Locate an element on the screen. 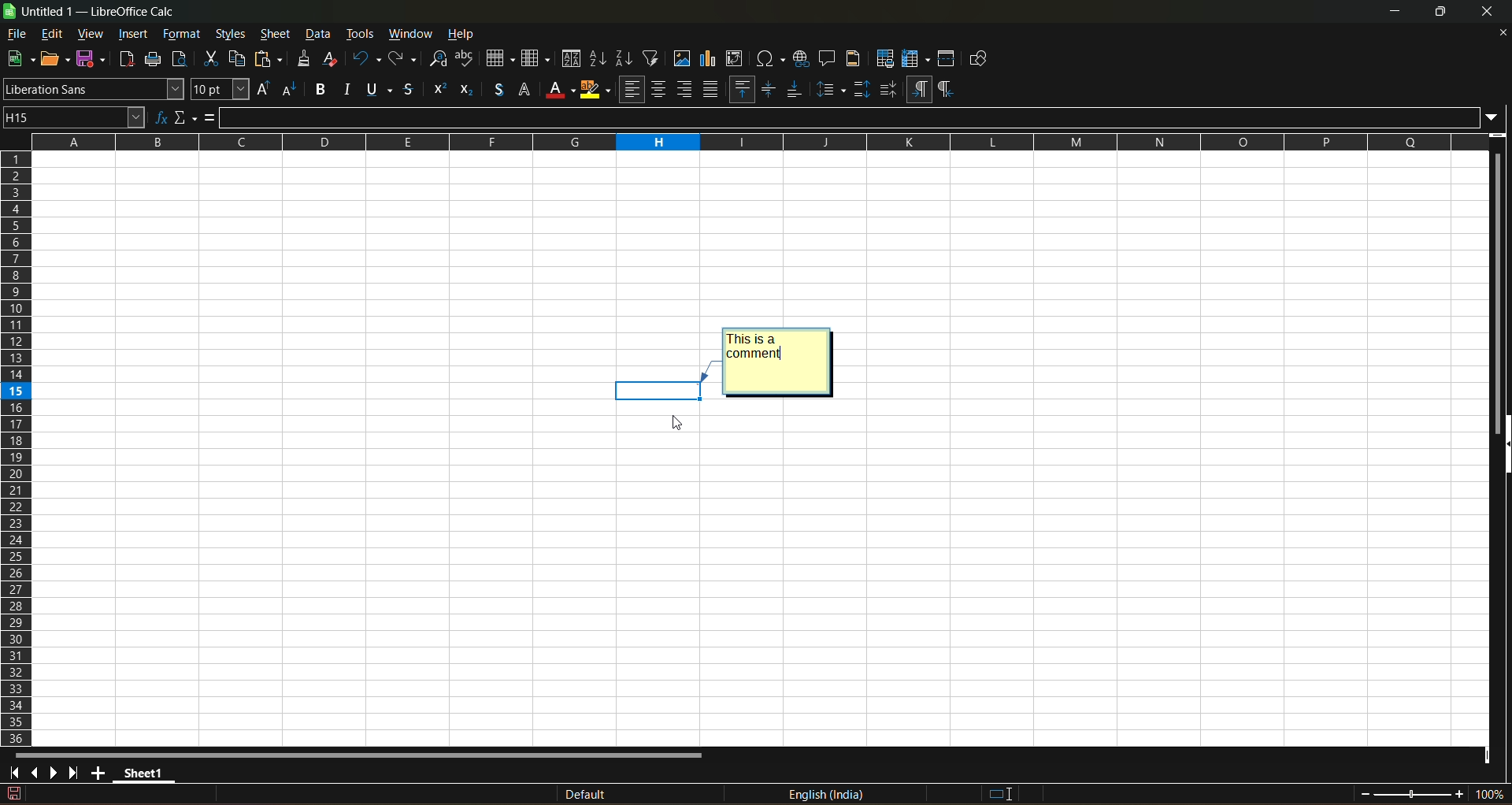 Image resolution: width=1512 pixels, height=805 pixels. unmerge cells is located at coordinates (691, 88).